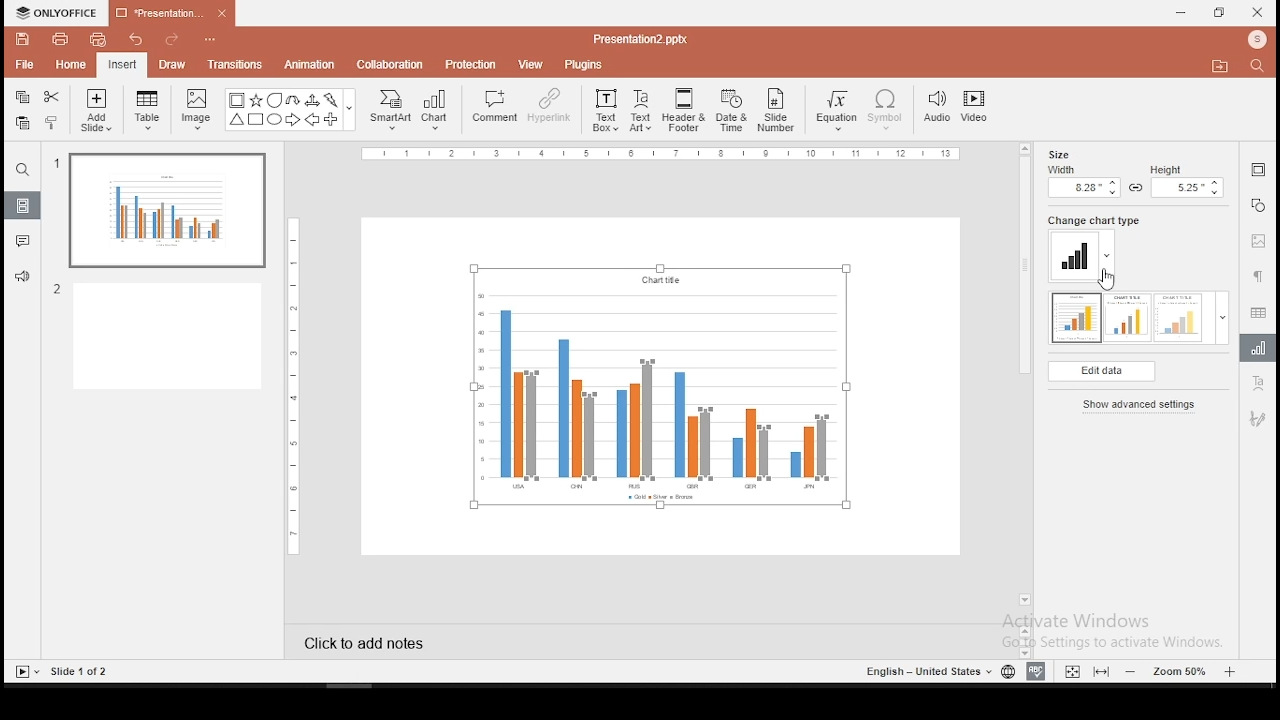  Describe the element at coordinates (472, 65) in the screenshot. I see `protection` at that location.